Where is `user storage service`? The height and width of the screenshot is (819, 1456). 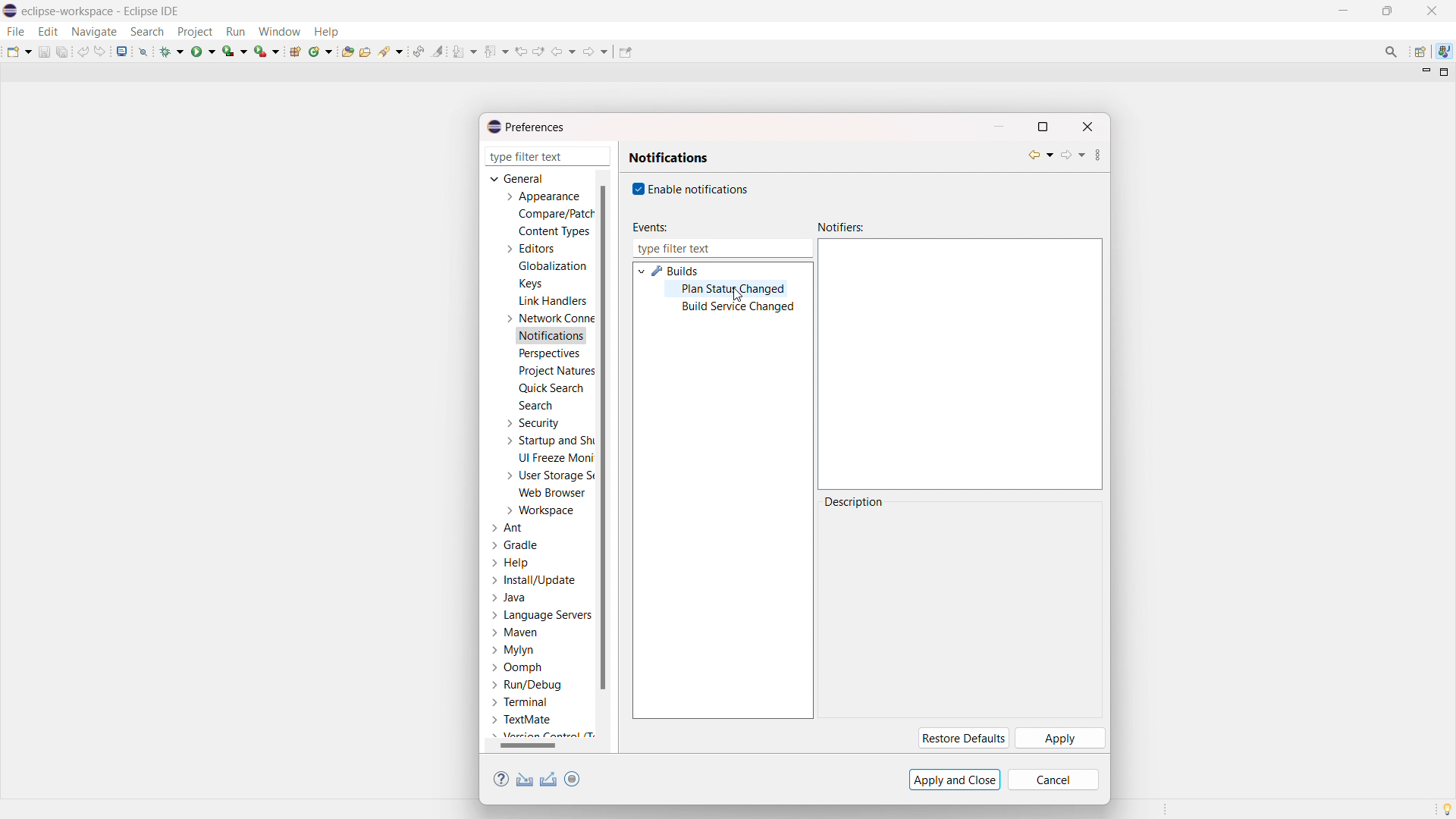
user storage service is located at coordinates (547, 475).